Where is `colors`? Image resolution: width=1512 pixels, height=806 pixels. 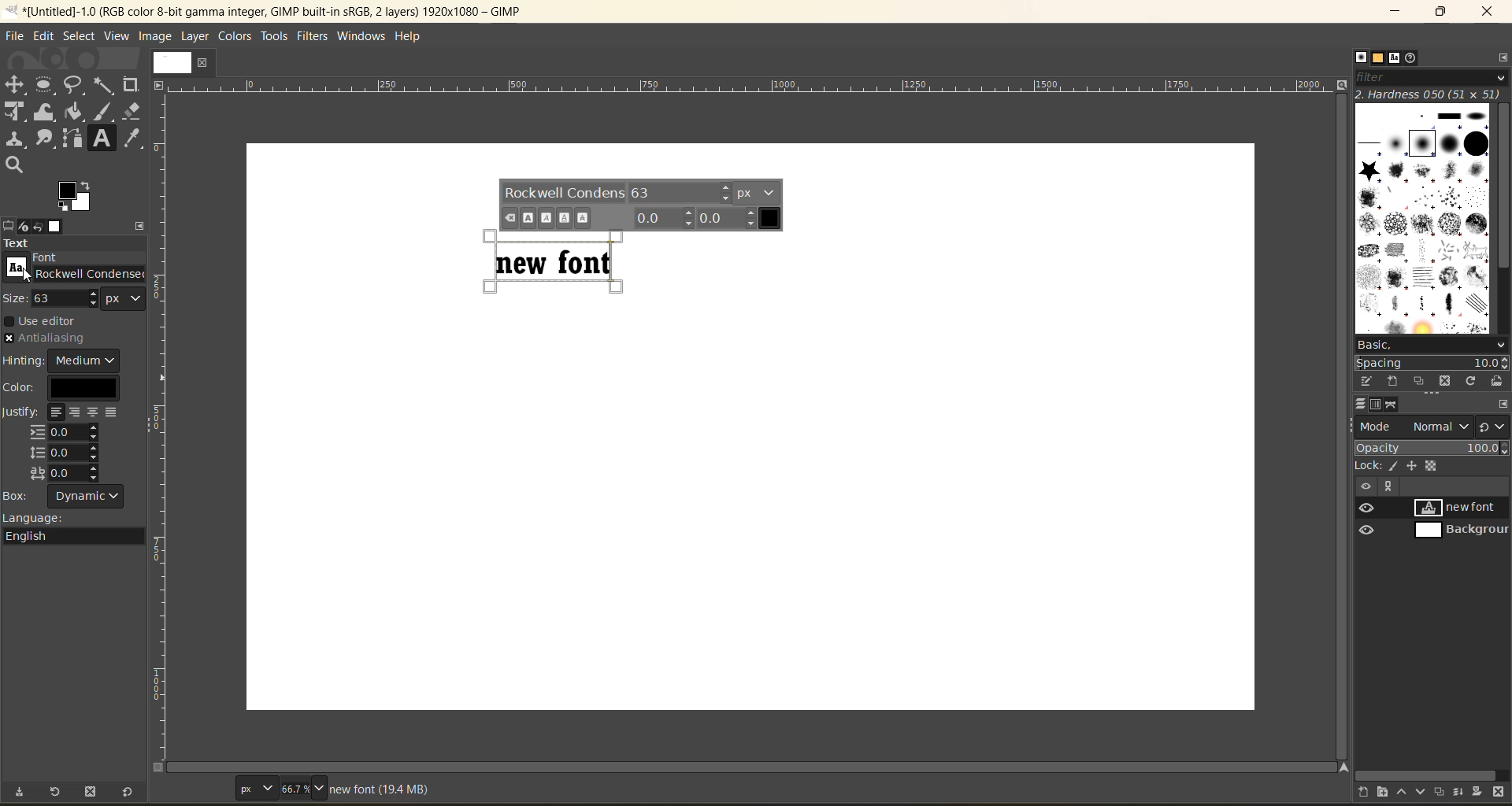 colors is located at coordinates (235, 38).